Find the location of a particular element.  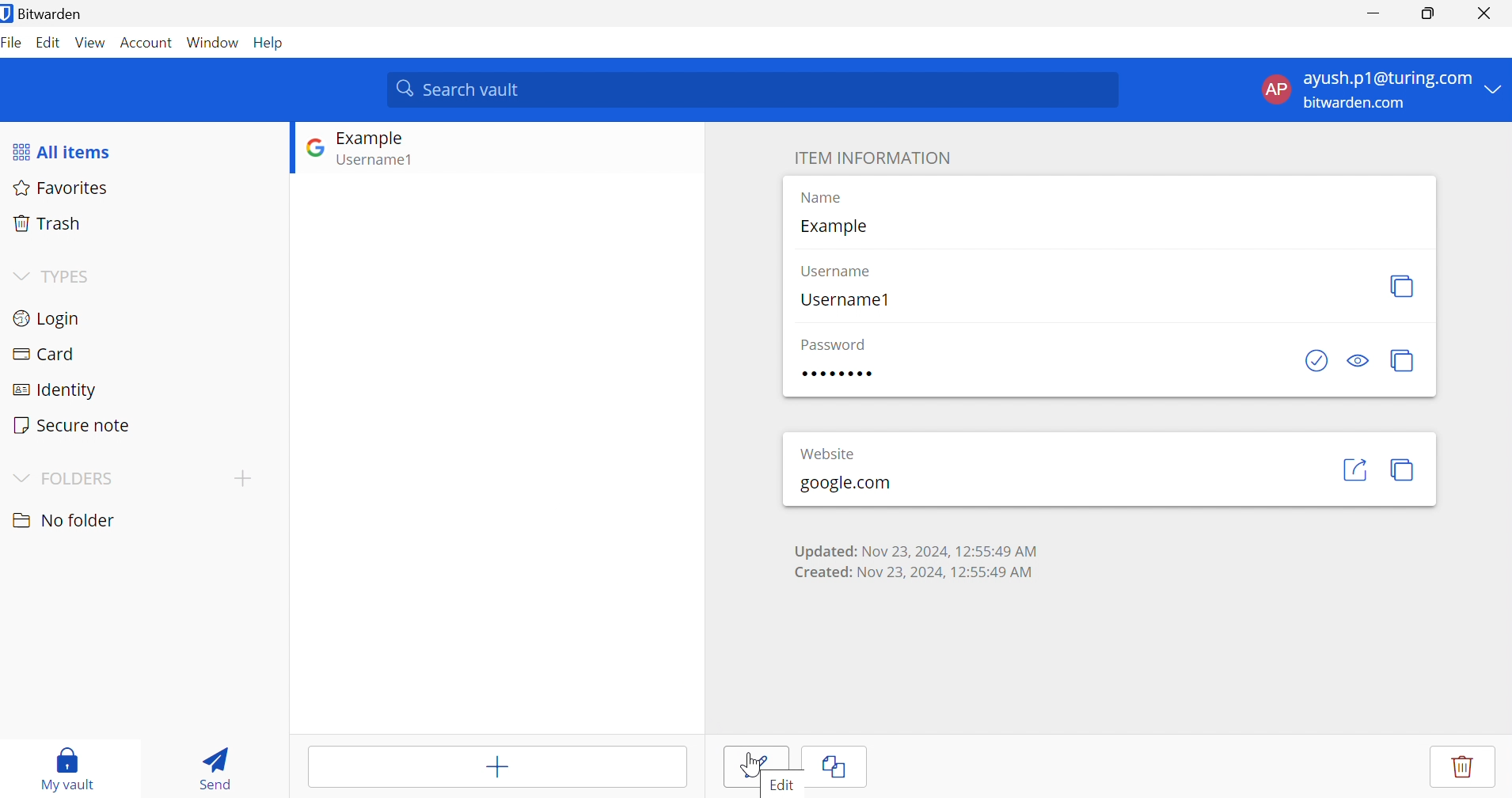

Check if password has been exposed is located at coordinates (1316, 359).